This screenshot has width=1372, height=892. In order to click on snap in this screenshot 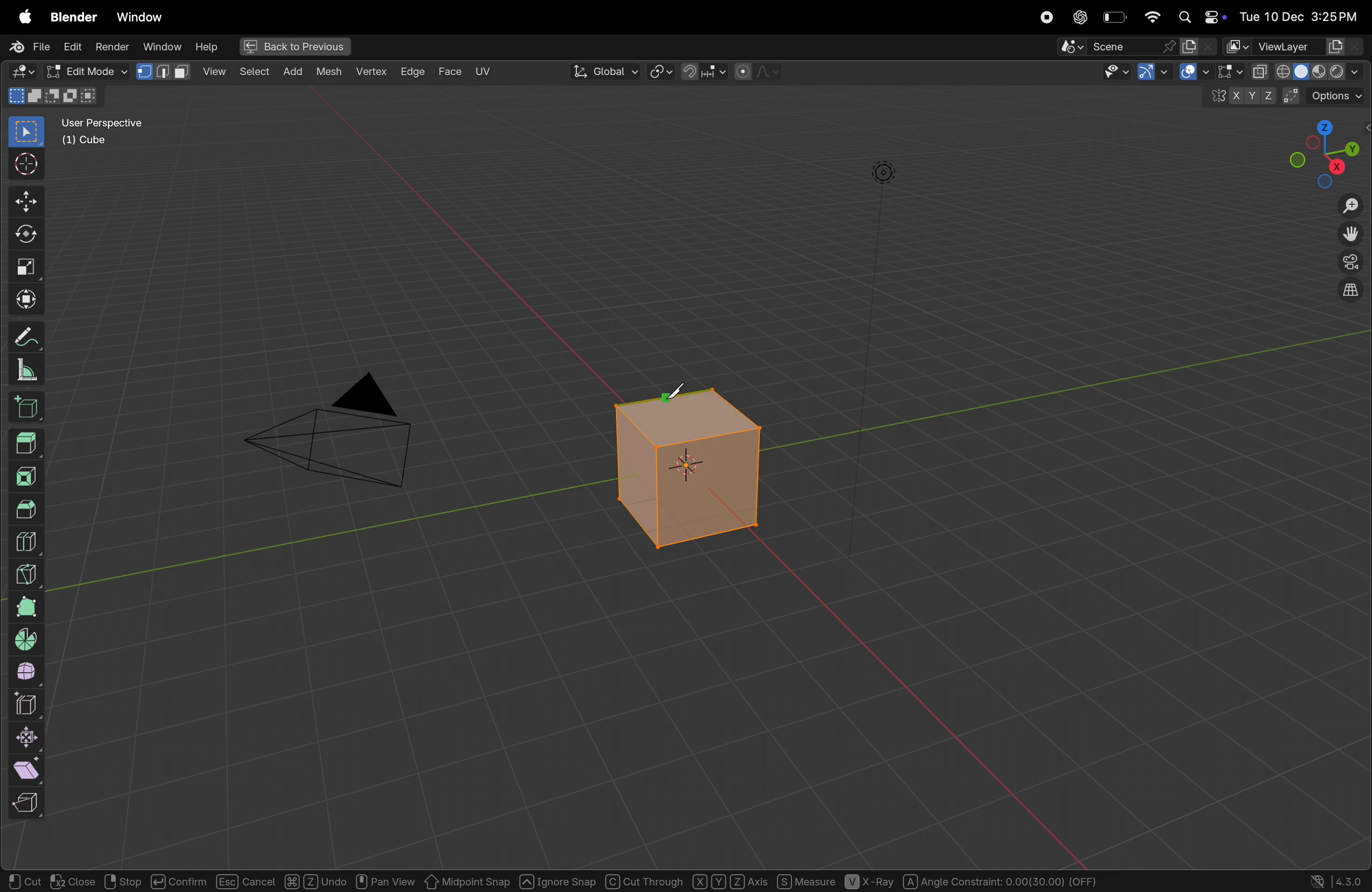, I will do `click(703, 73)`.